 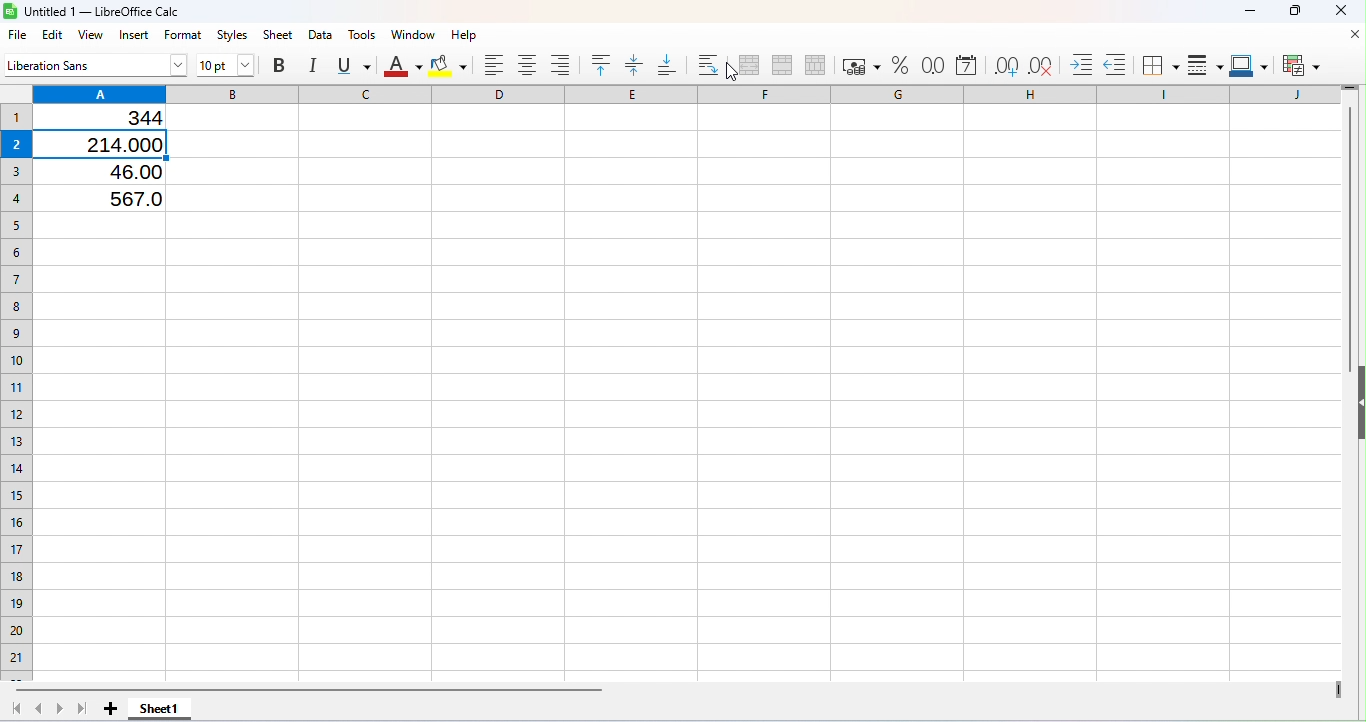 What do you see at coordinates (1159, 63) in the screenshot?
I see `Borders` at bounding box center [1159, 63].